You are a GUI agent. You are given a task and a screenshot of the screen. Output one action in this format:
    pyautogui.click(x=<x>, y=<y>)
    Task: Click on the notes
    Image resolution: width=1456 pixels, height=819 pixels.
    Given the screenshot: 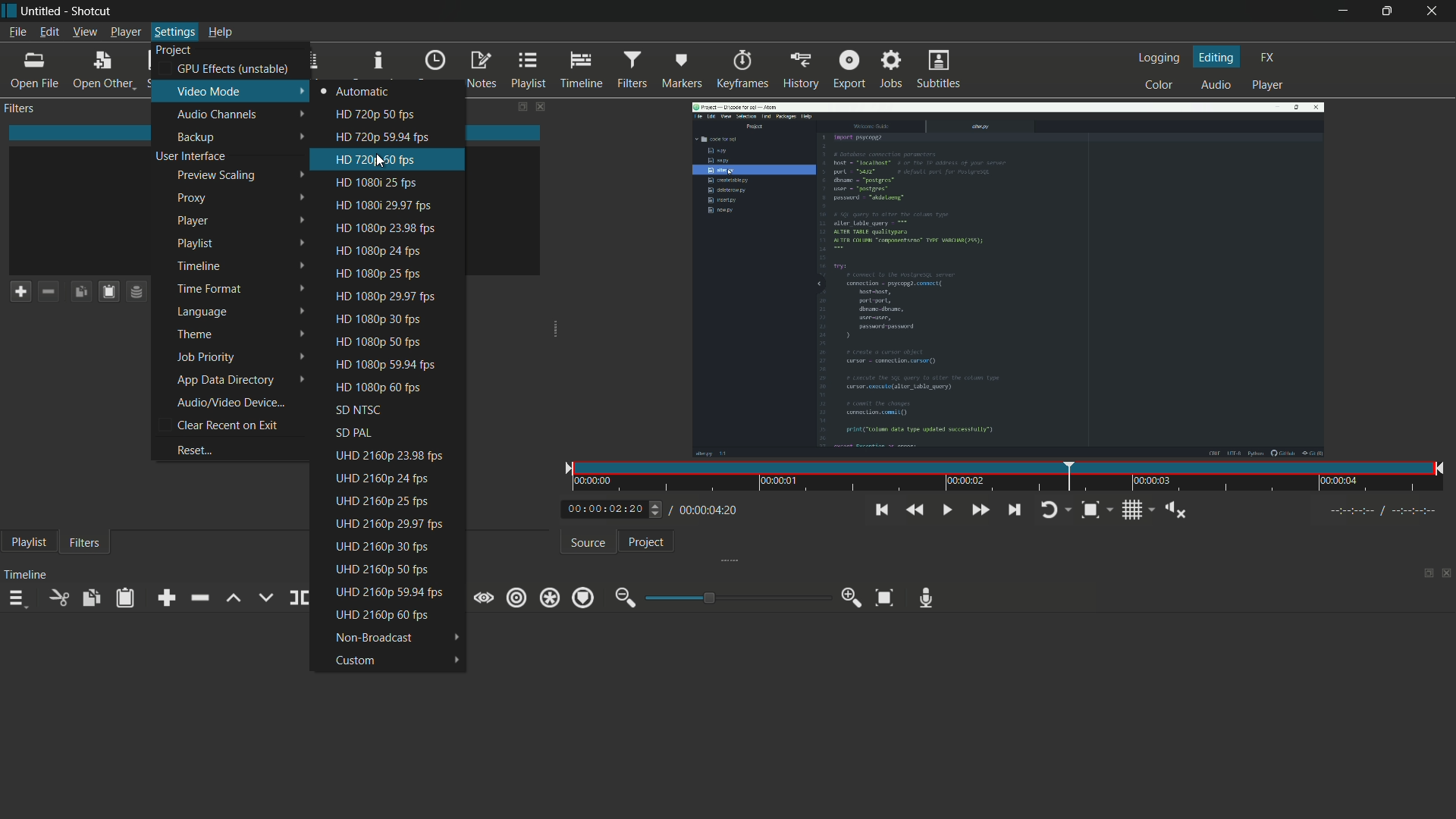 What is the action you would take?
    pyautogui.click(x=482, y=71)
    